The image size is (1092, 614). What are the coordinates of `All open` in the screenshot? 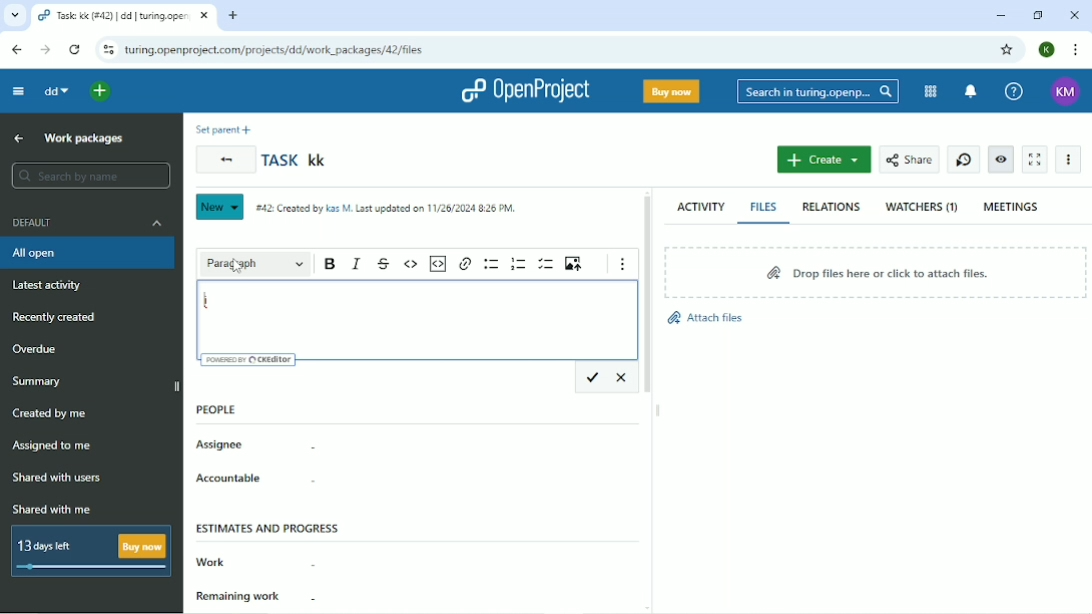 It's located at (91, 253).